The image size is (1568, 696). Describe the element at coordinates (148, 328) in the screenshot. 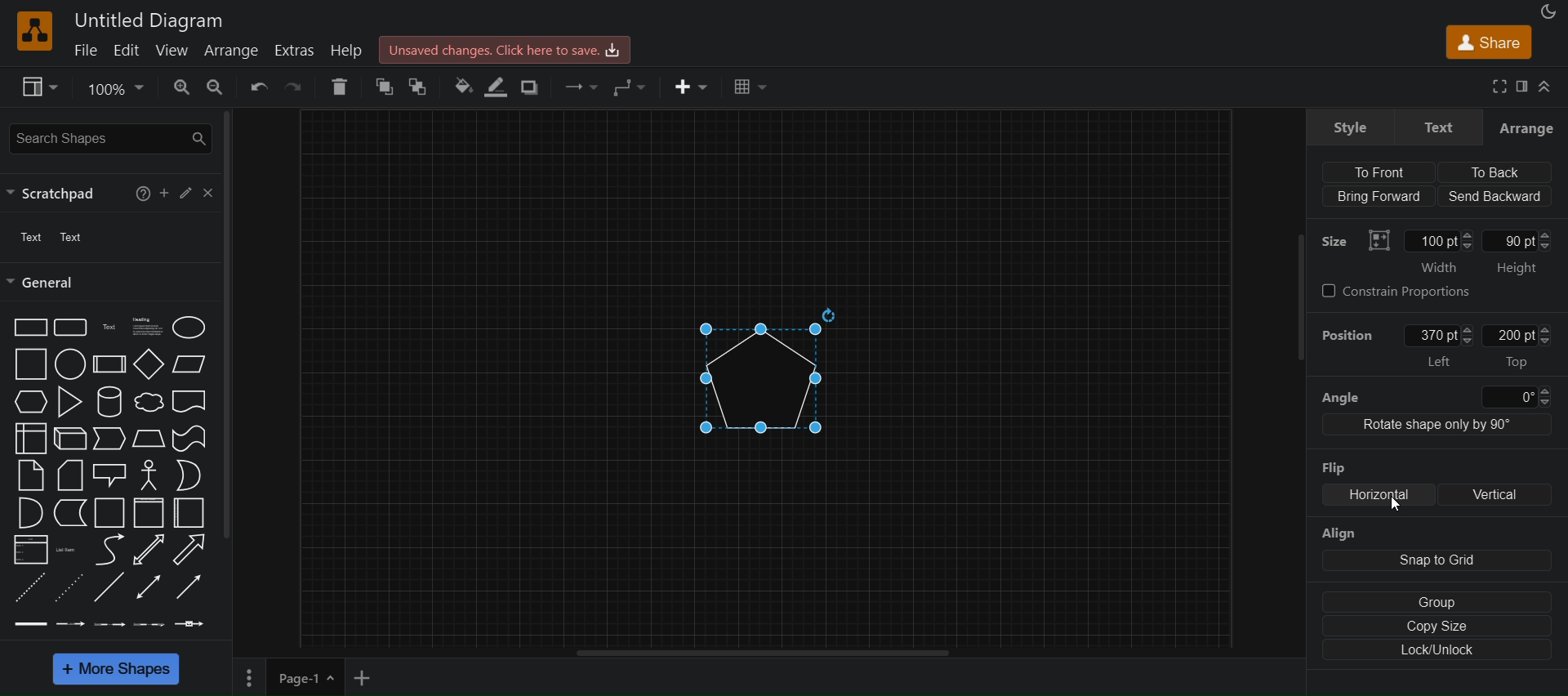

I see `Textbox` at that location.